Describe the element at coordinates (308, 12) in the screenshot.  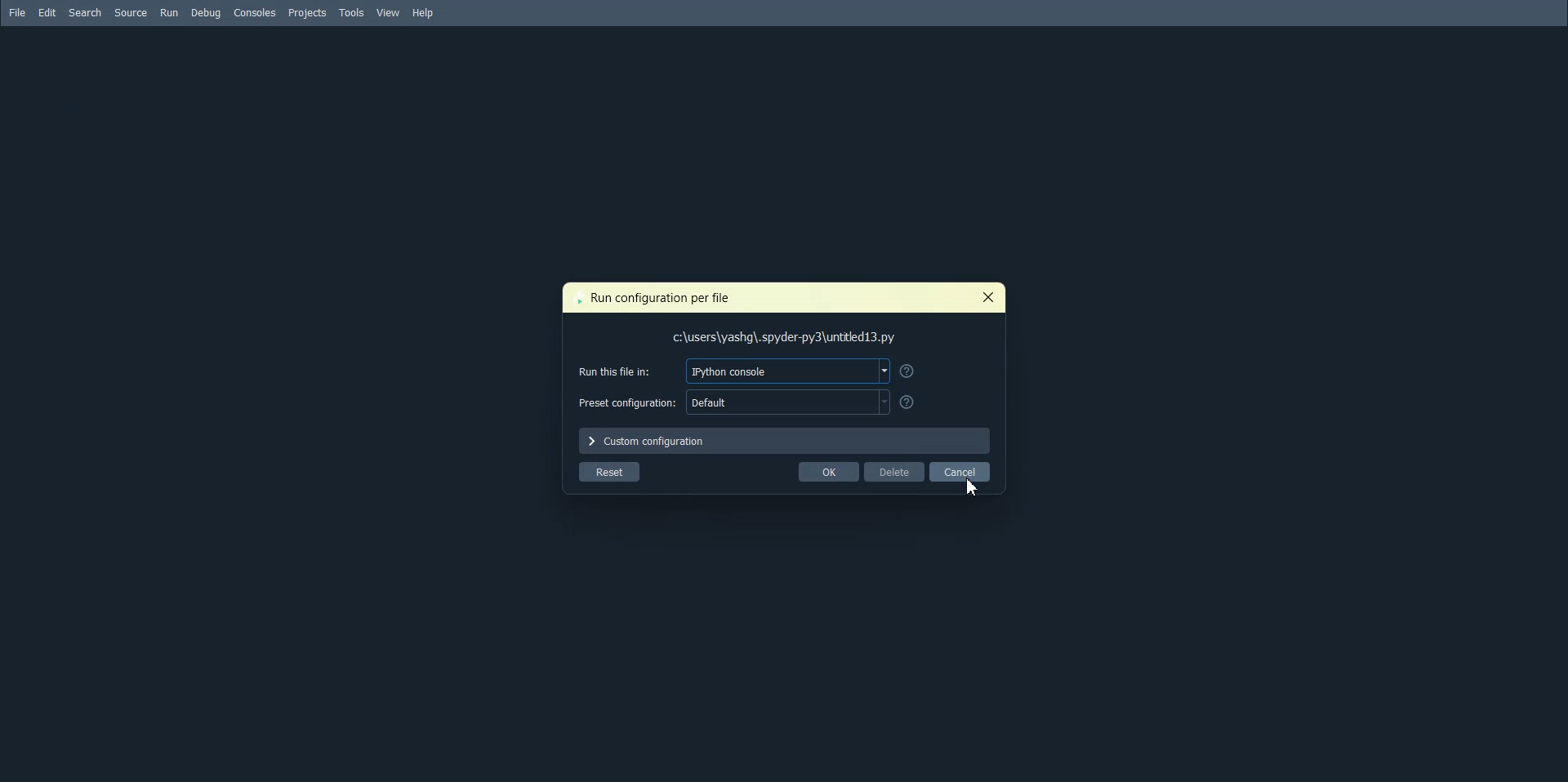
I see `Projects` at that location.